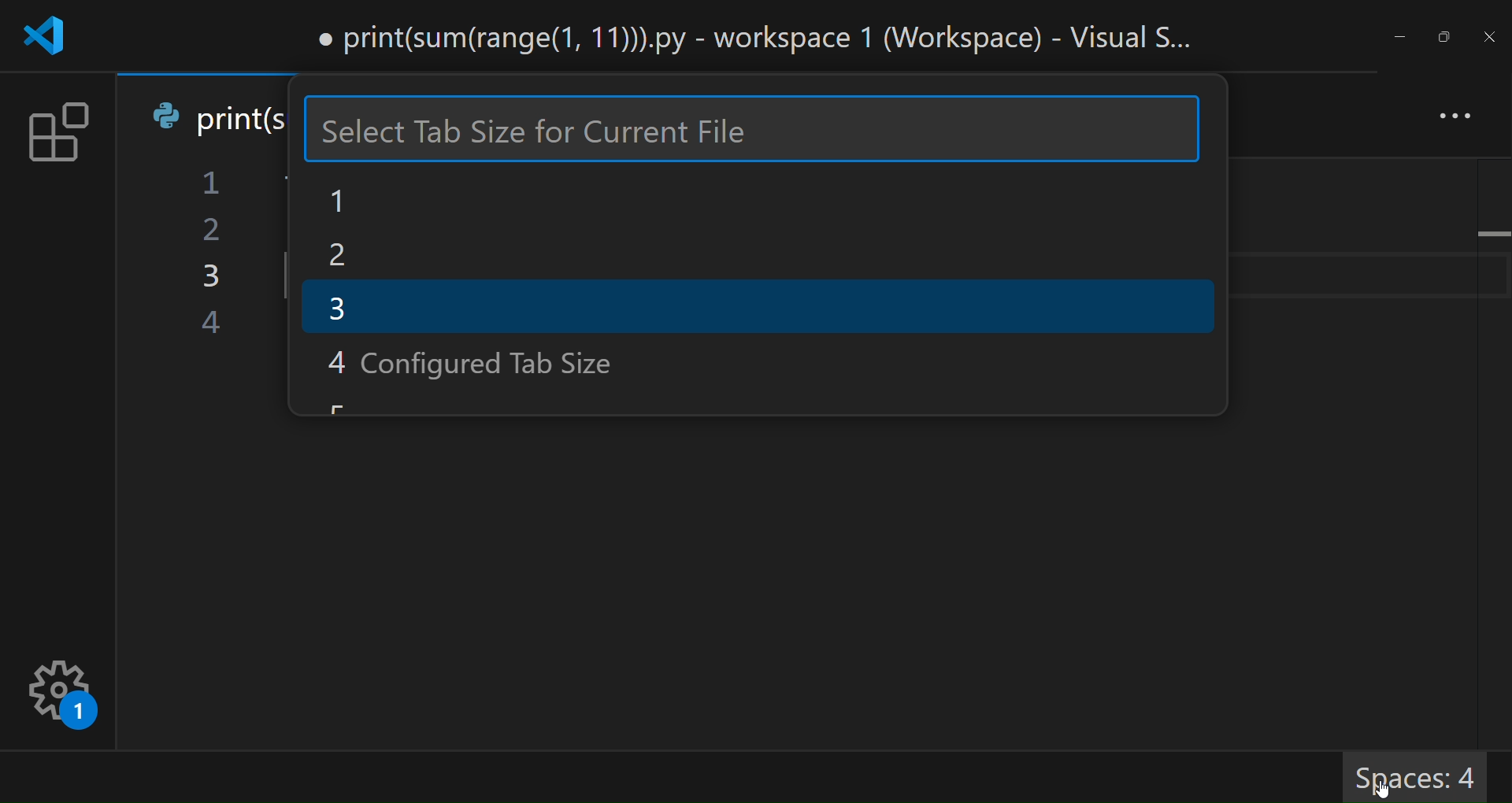 This screenshot has width=1512, height=803. I want to click on scroll bar, so click(1491, 413).